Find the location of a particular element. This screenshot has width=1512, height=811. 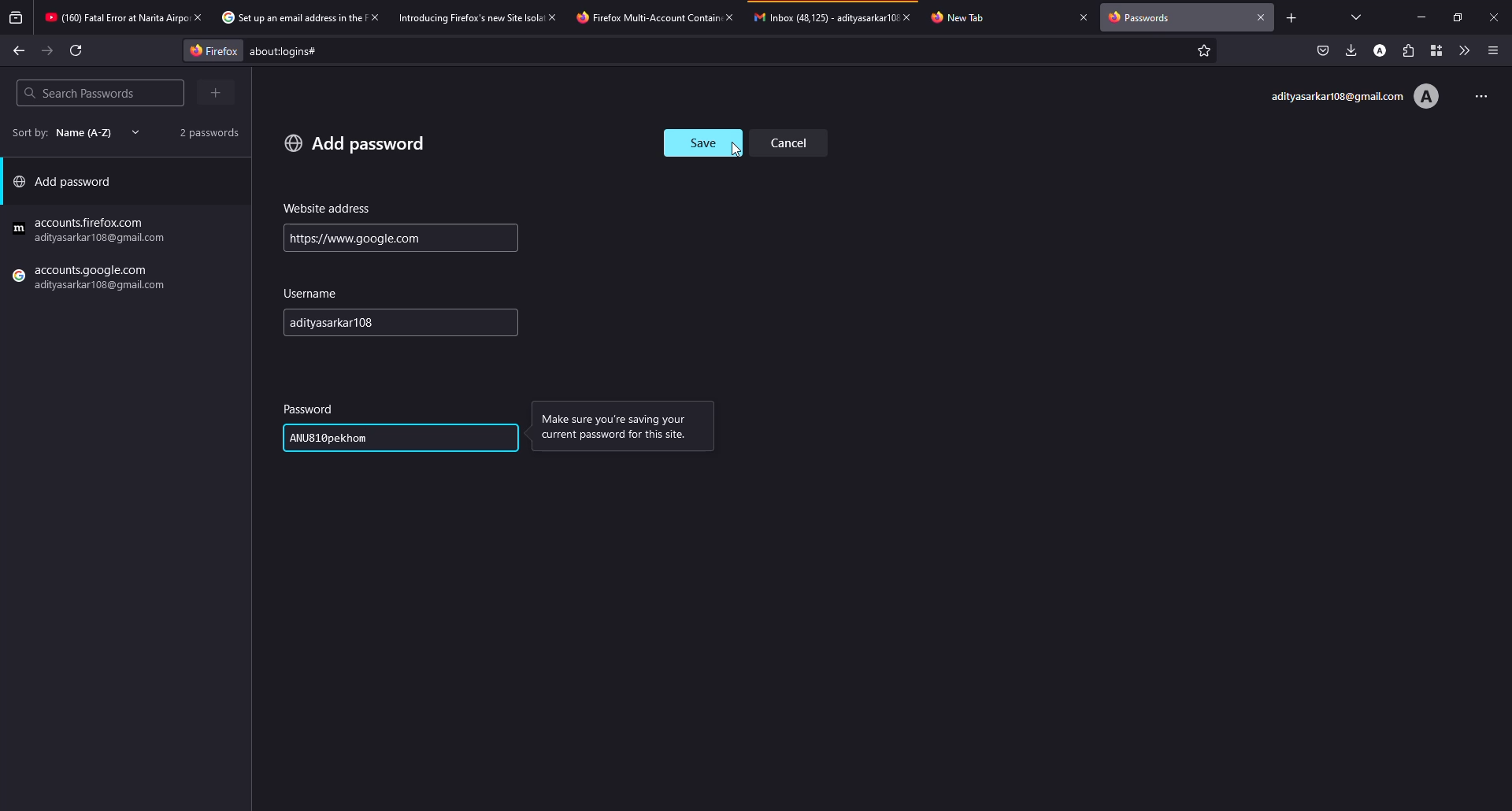

maximize is located at coordinates (1454, 17).